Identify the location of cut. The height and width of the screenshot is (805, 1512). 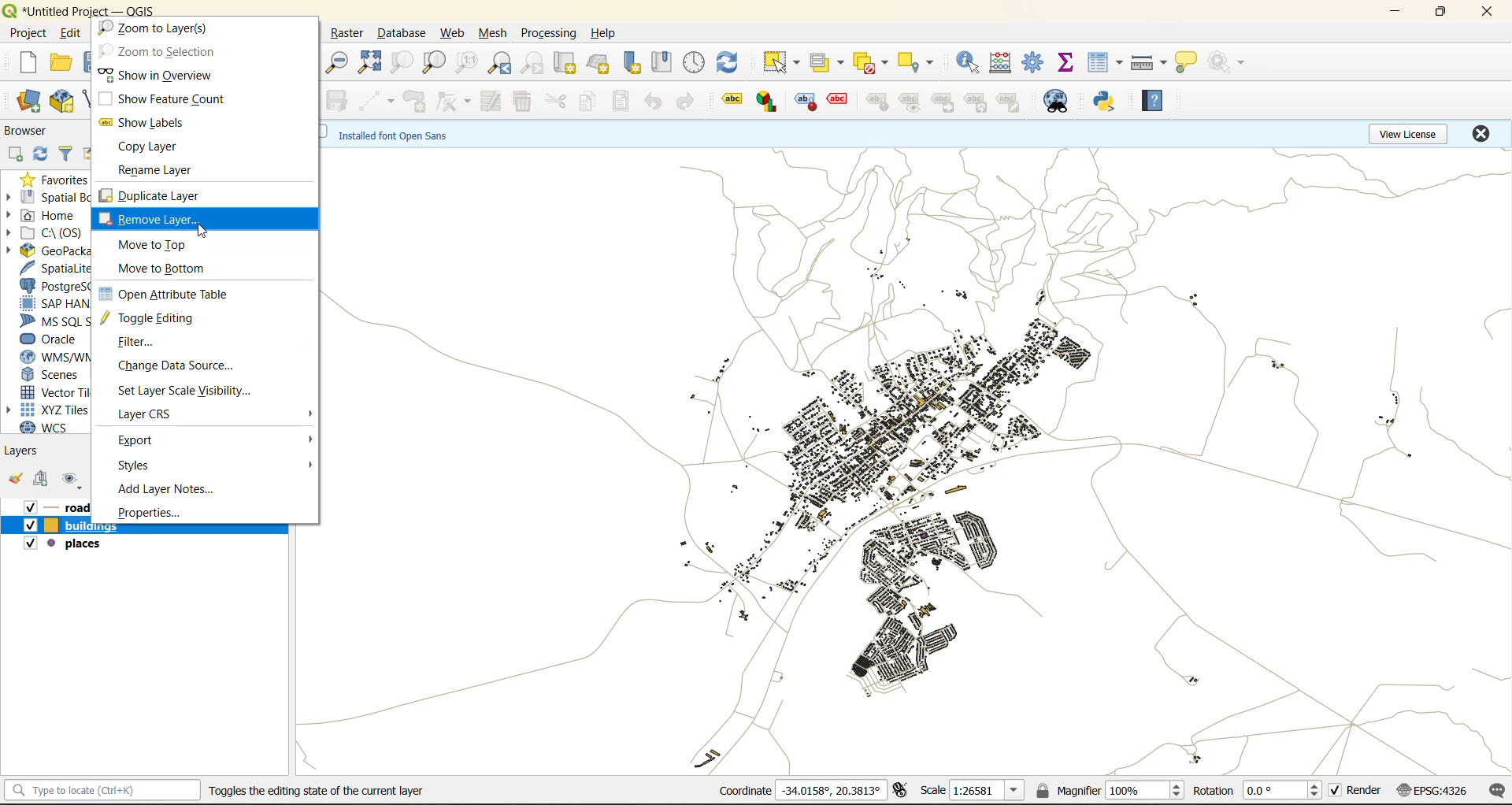
(552, 101).